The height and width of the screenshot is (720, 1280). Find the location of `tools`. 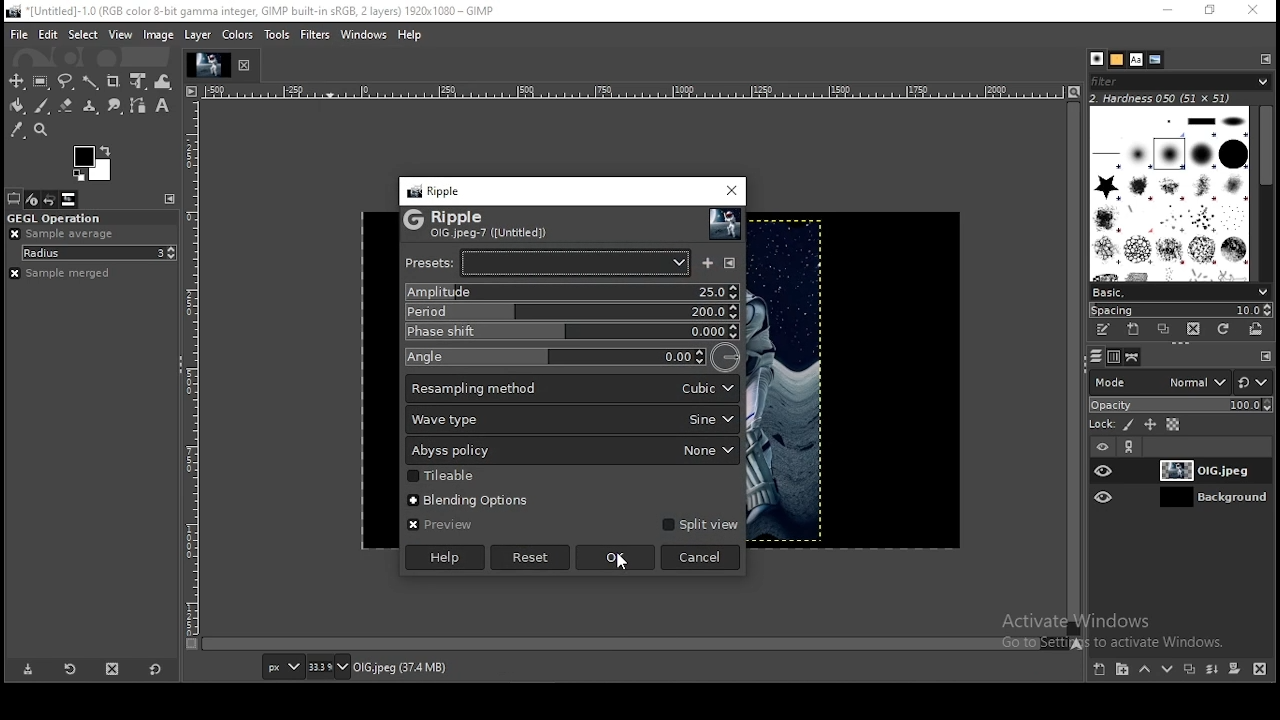

tools is located at coordinates (276, 35).